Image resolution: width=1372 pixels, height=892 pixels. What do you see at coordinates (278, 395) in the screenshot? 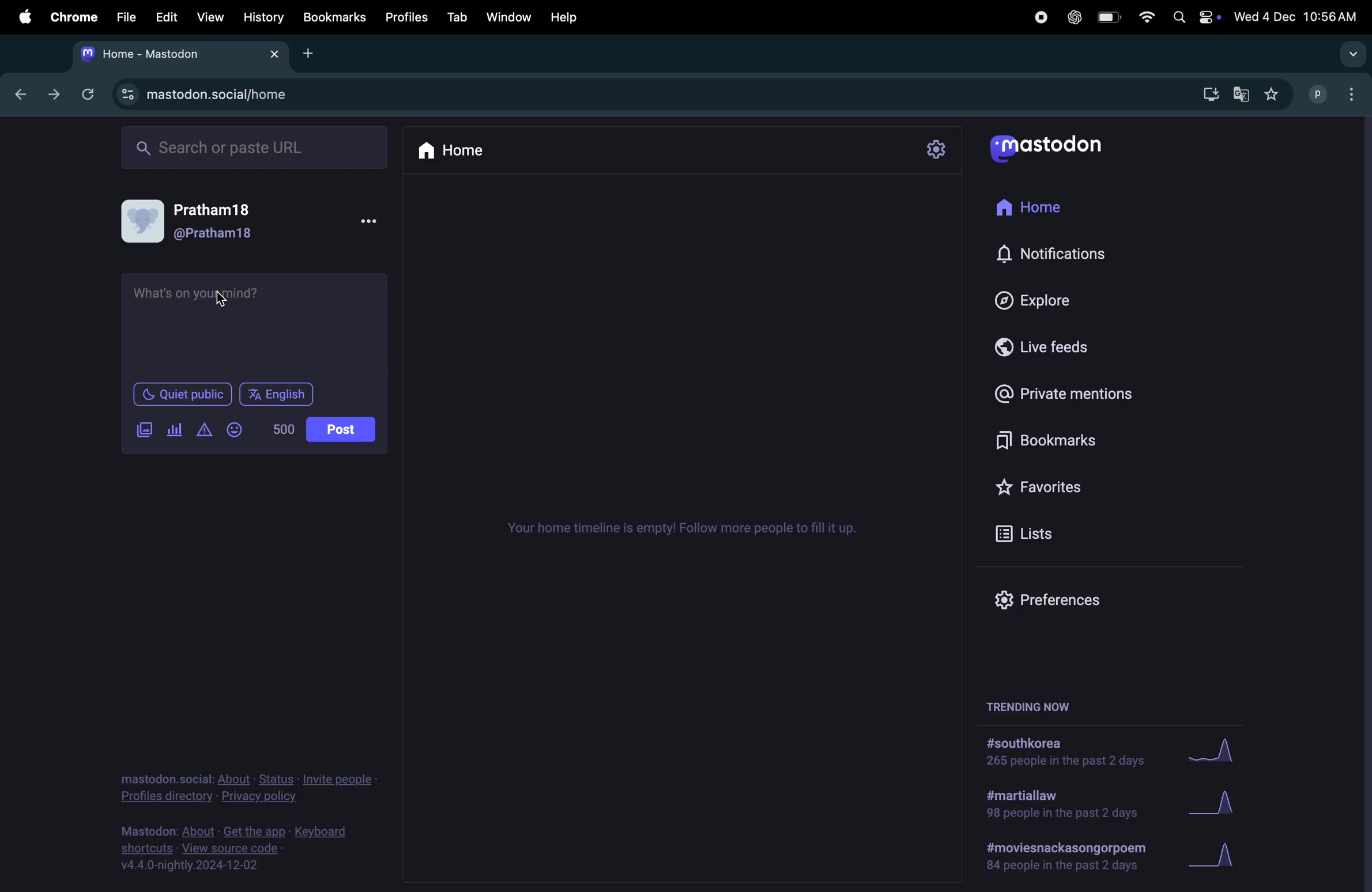
I see `English` at bounding box center [278, 395].